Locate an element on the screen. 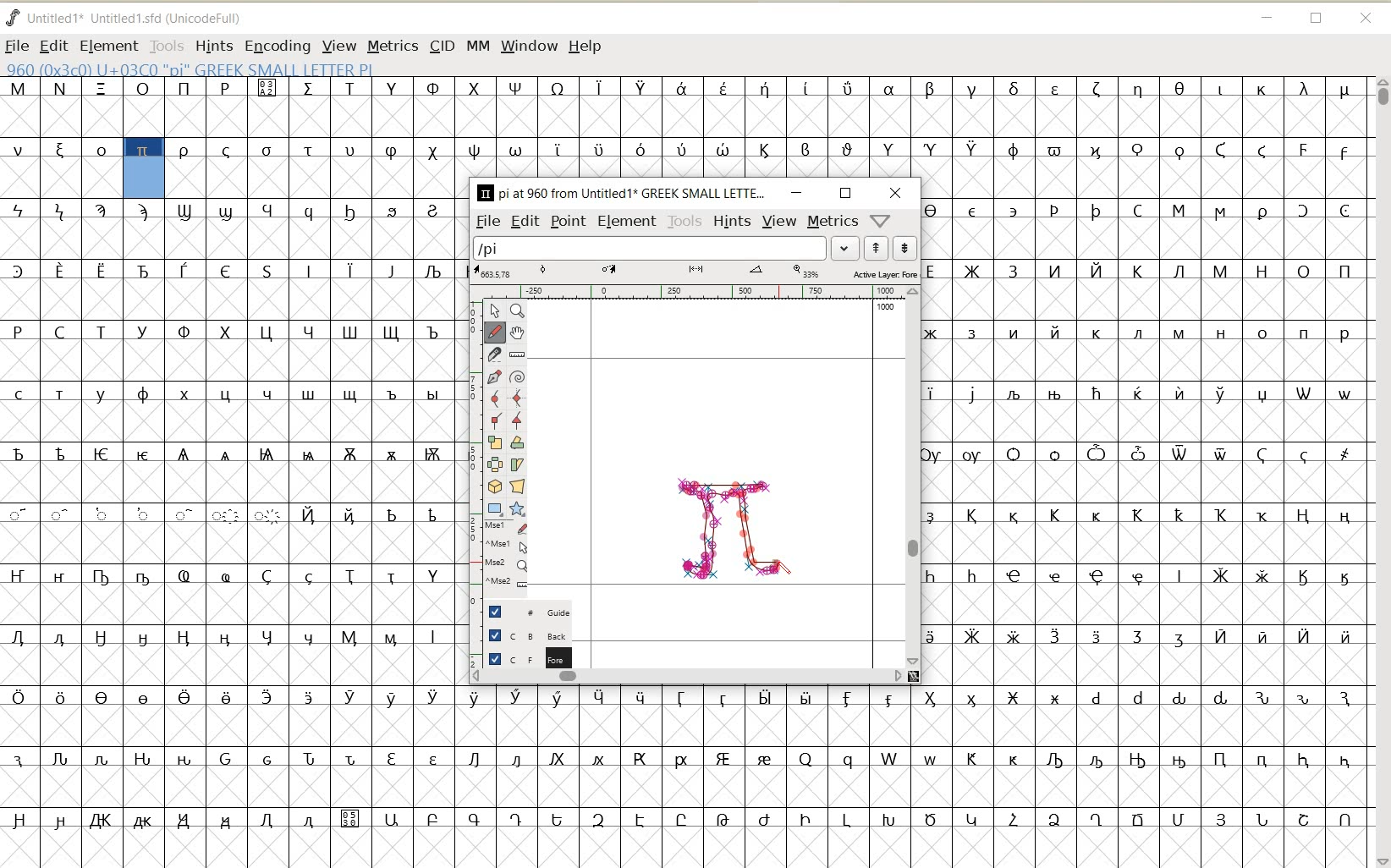  WINDOW is located at coordinates (529, 45).